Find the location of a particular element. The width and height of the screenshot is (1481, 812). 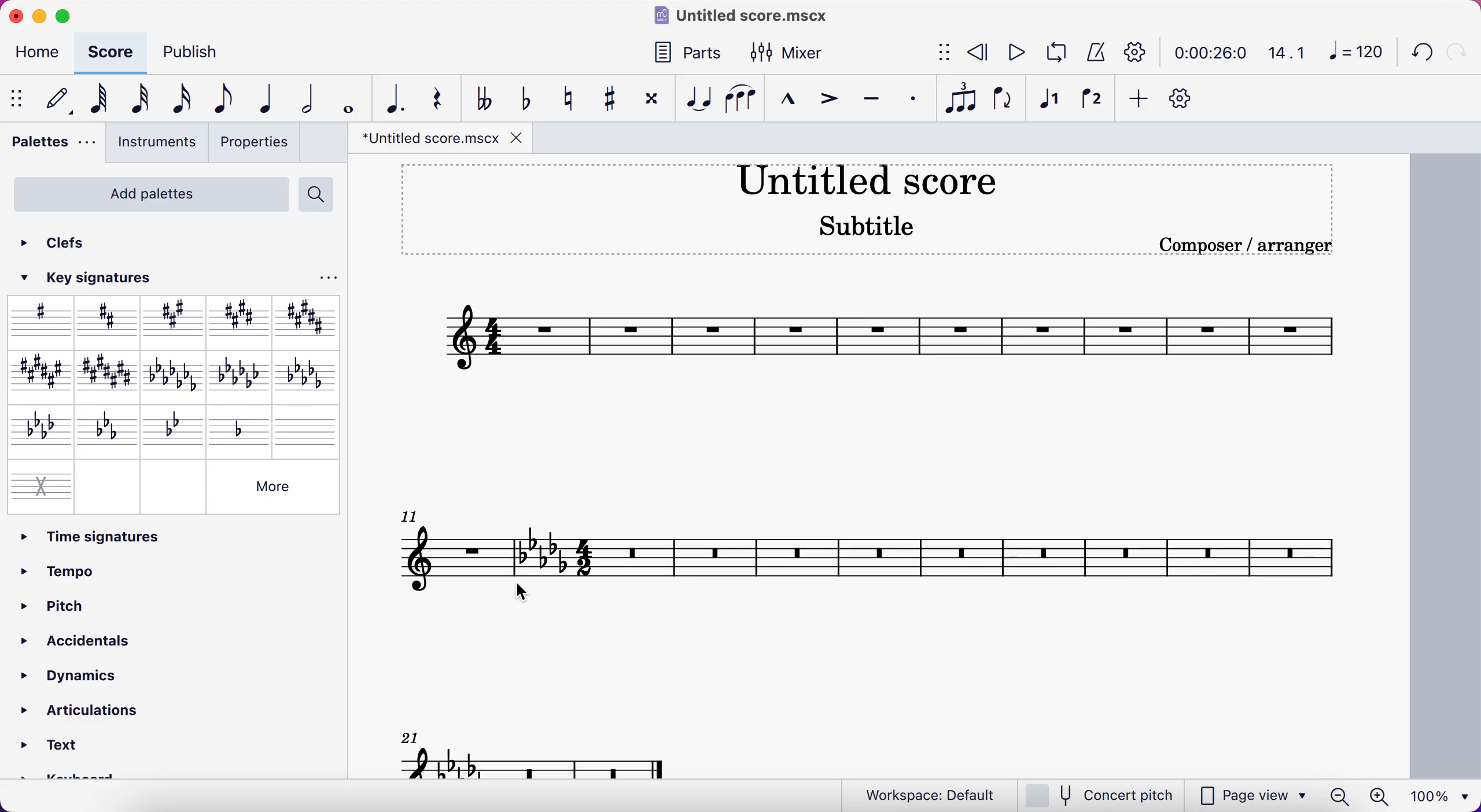

E minor is located at coordinates (241, 376).